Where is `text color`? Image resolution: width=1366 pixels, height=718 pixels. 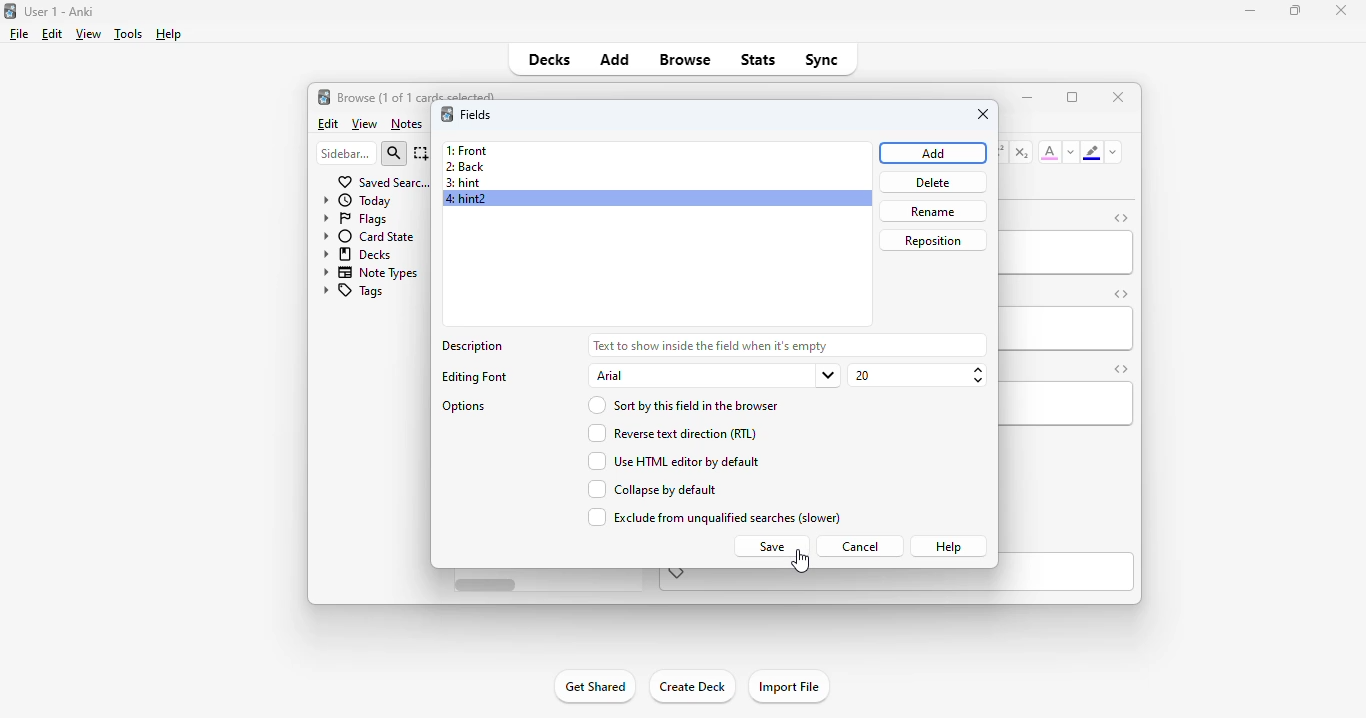
text color is located at coordinates (1050, 151).